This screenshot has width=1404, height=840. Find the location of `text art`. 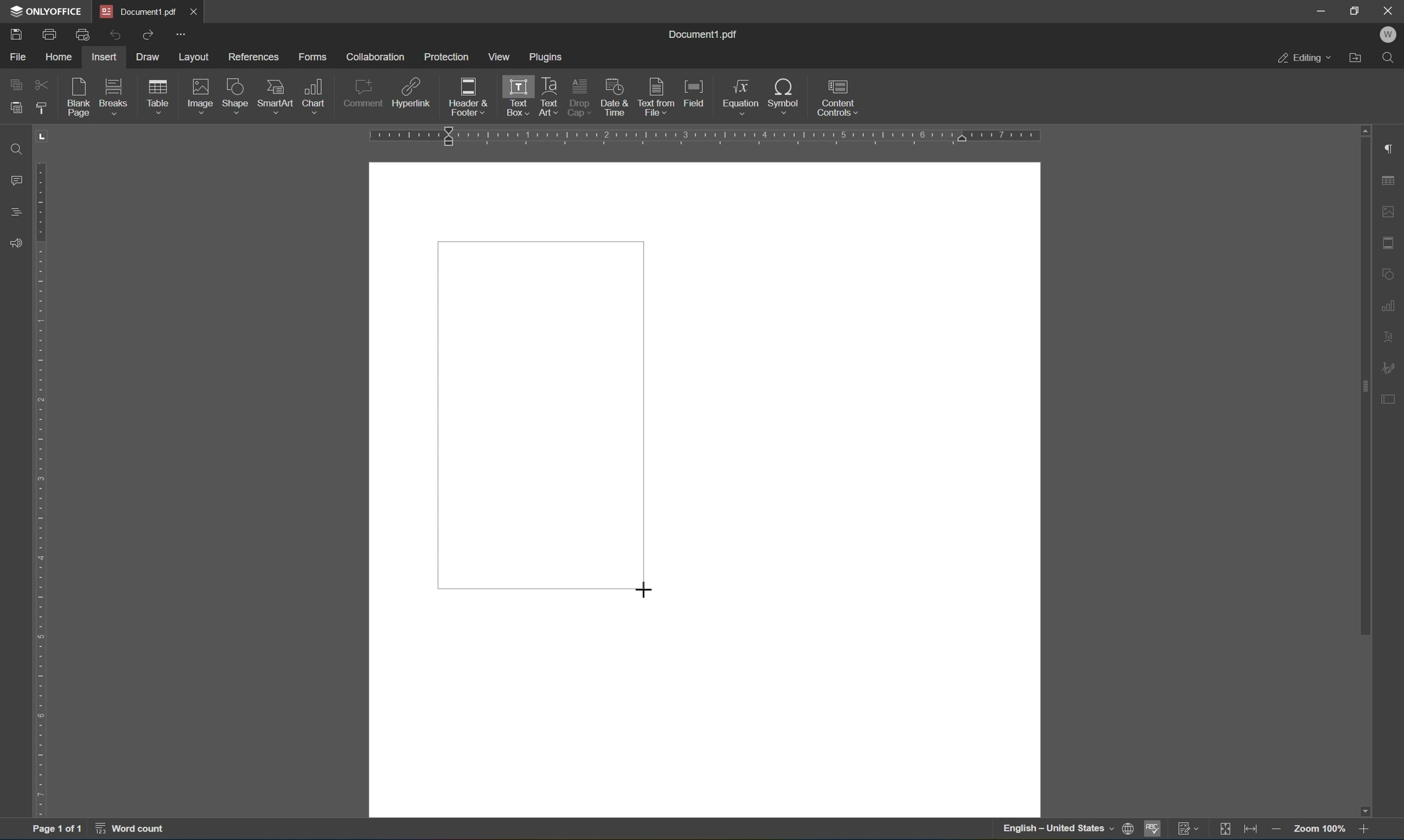

text art is located at coordinates (549, 95).